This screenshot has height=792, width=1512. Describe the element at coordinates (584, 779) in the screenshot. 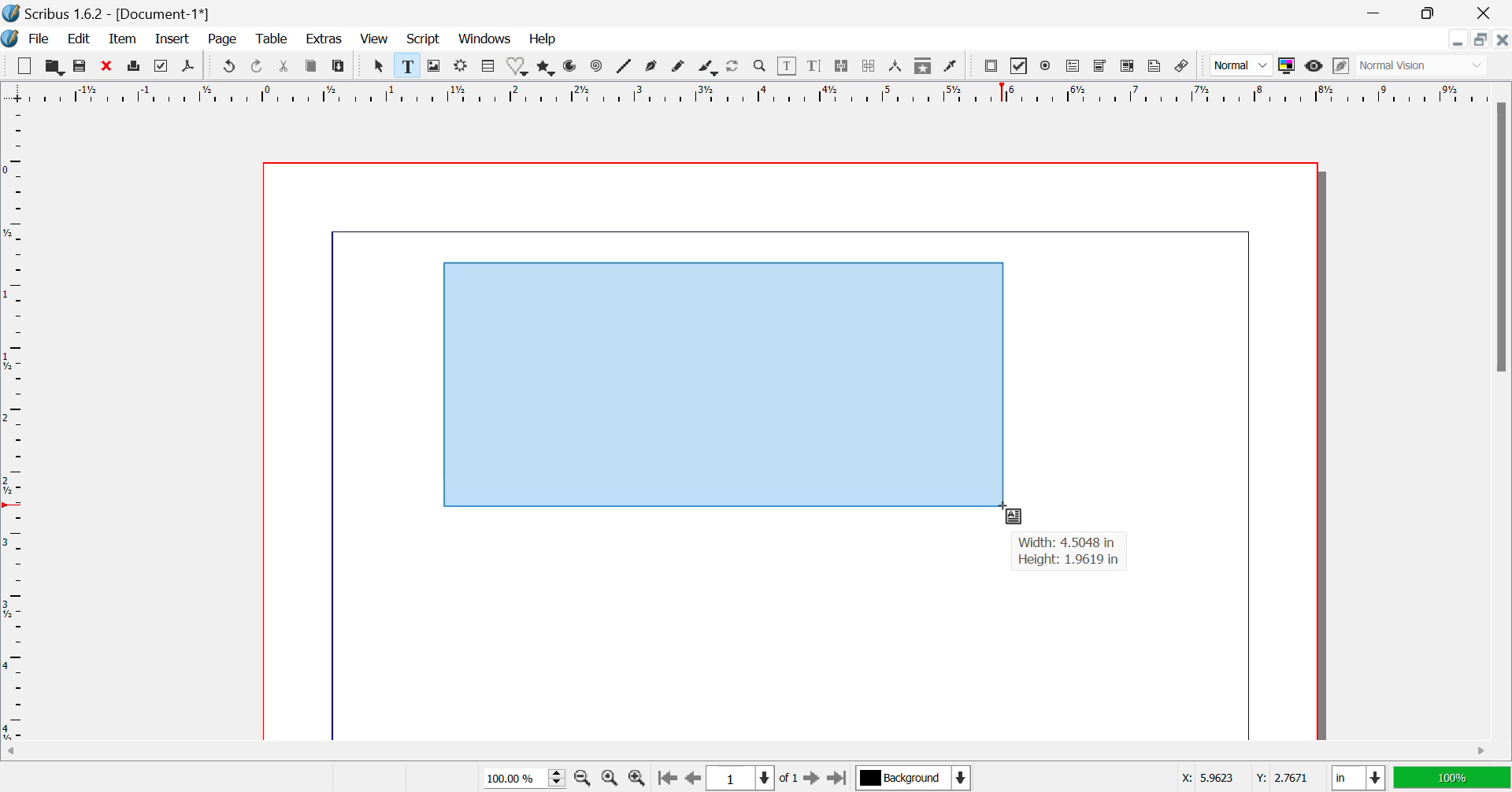

I see `Zoom Out` at that location.